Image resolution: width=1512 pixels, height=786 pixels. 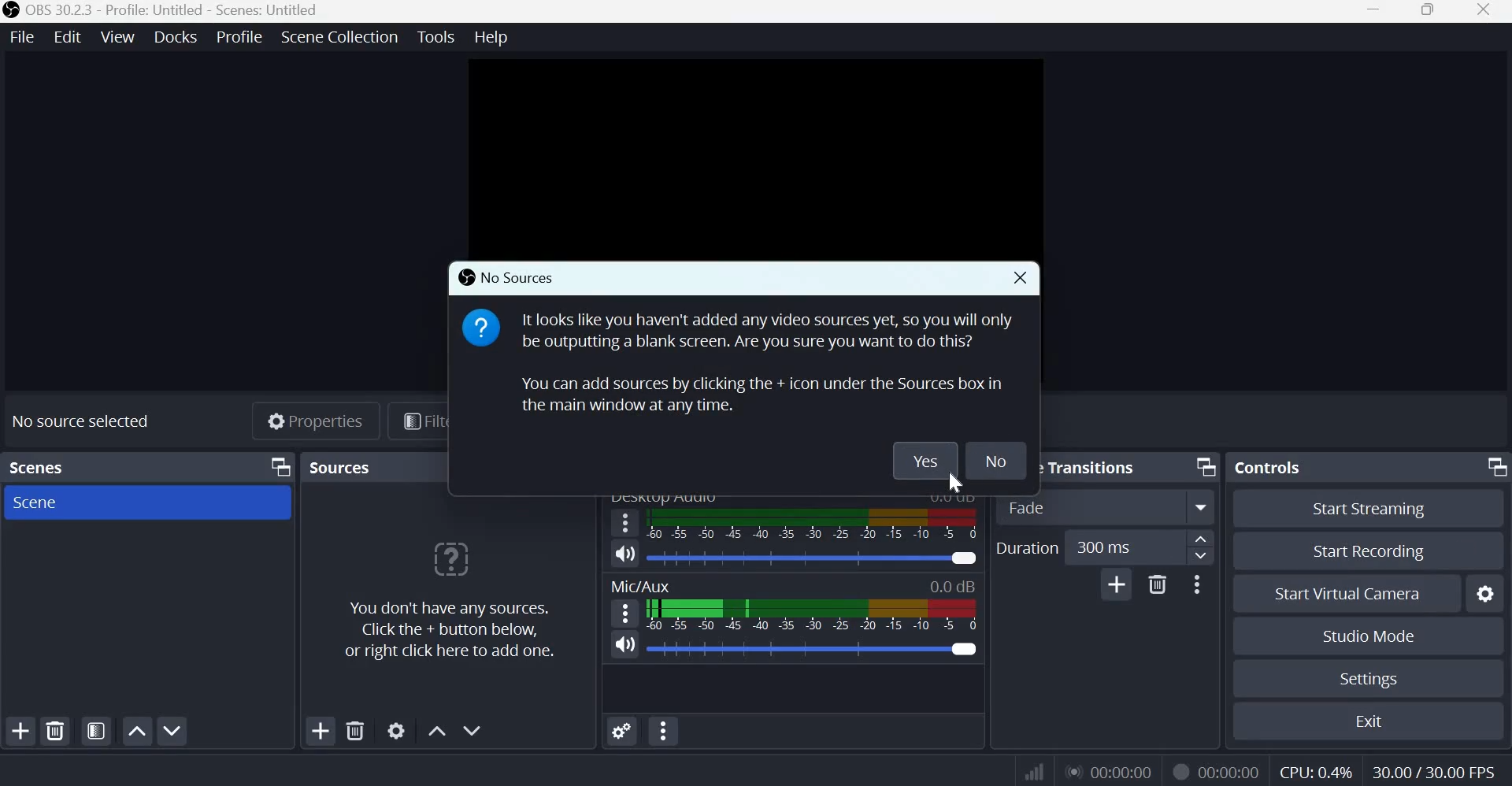 I want to click on Hamburger icon, so click(x=626, y=613).